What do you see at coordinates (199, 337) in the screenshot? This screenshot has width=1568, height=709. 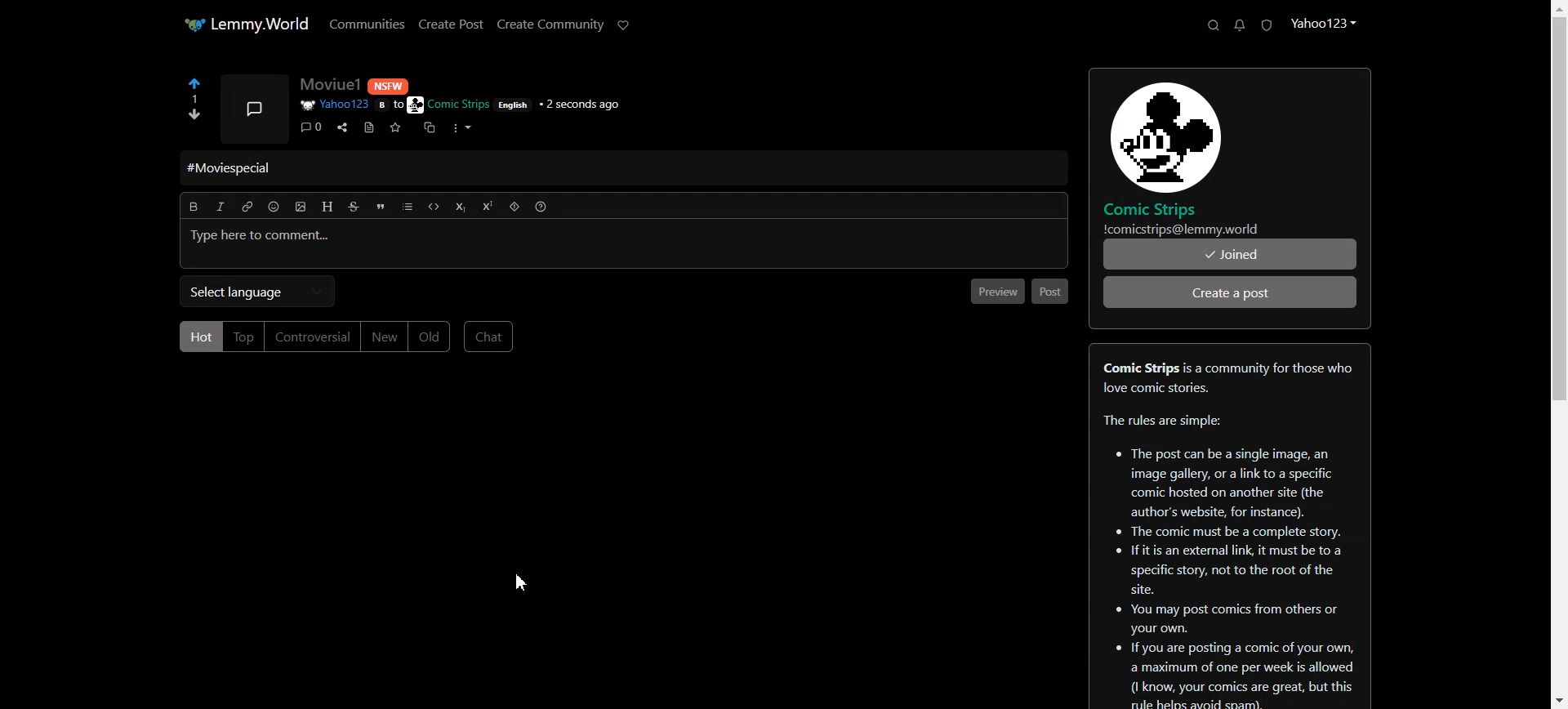 I see `Hot` at bounding box center [199, 337].